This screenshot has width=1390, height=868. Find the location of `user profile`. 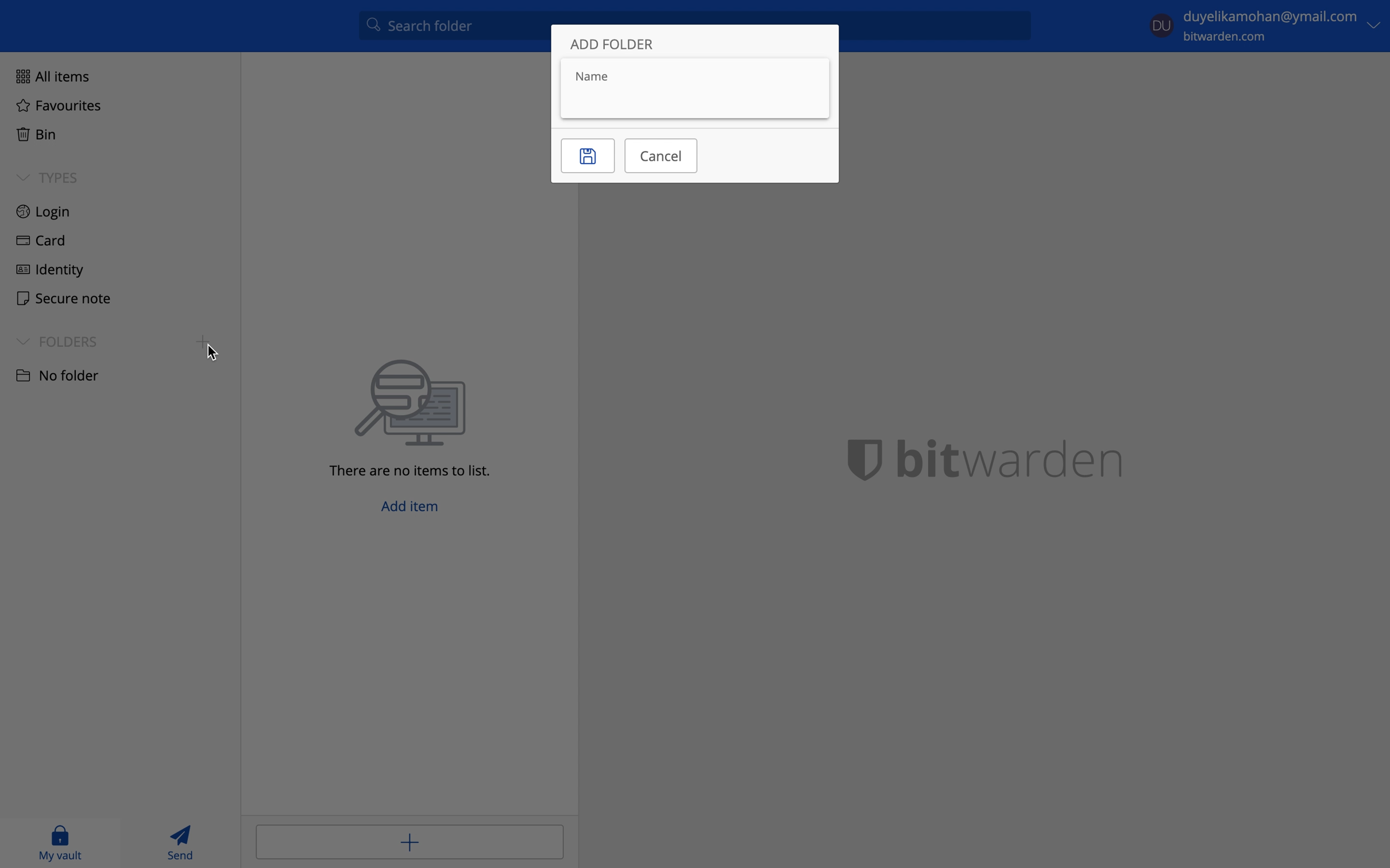

user profile is located at coordinates (1162, 24).